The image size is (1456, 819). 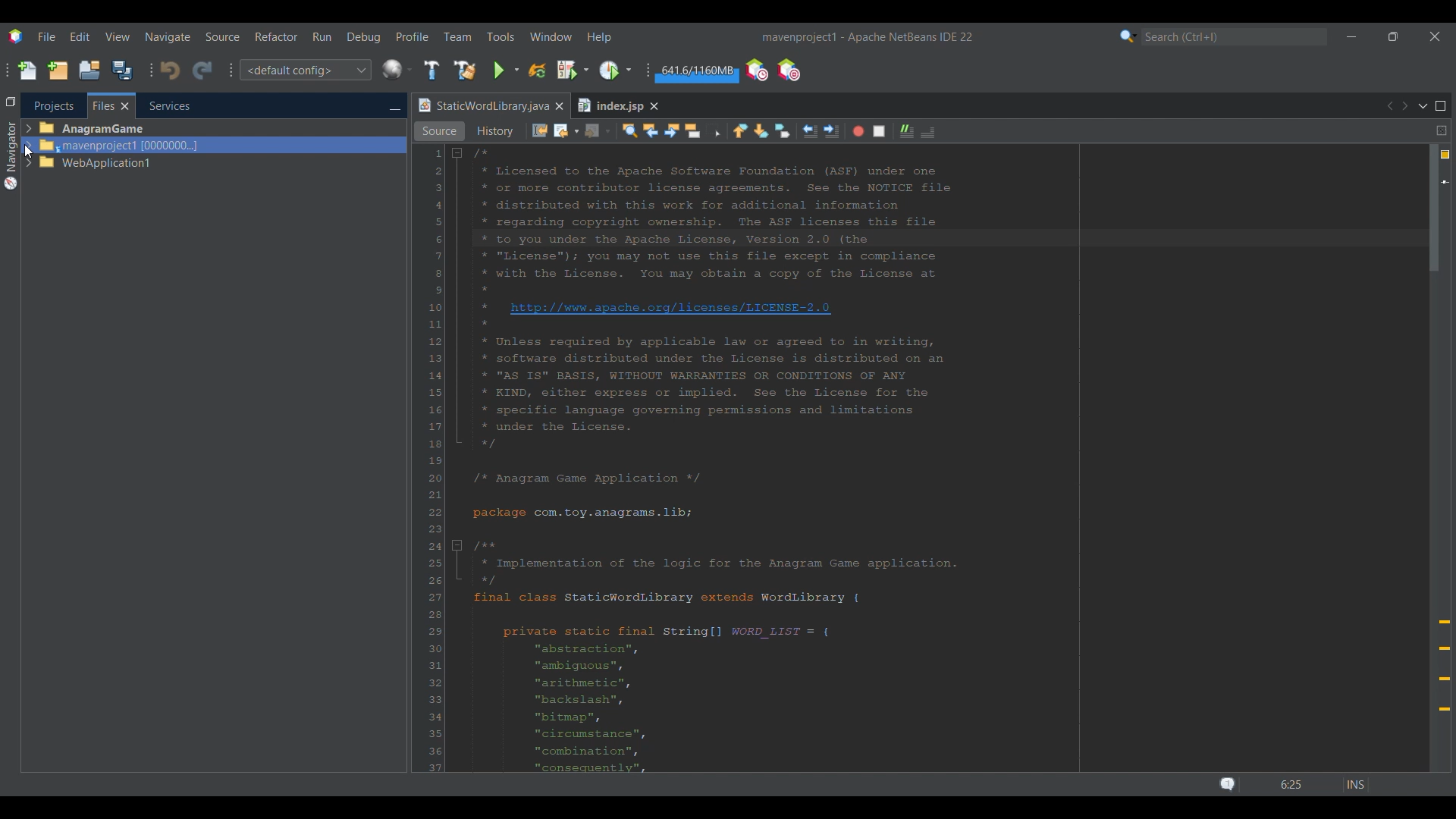 What do you see at coordinates (1442, 130) in the screenshot?
I see `Split window horizontally or vertically` at bounding box center [1442, 130].